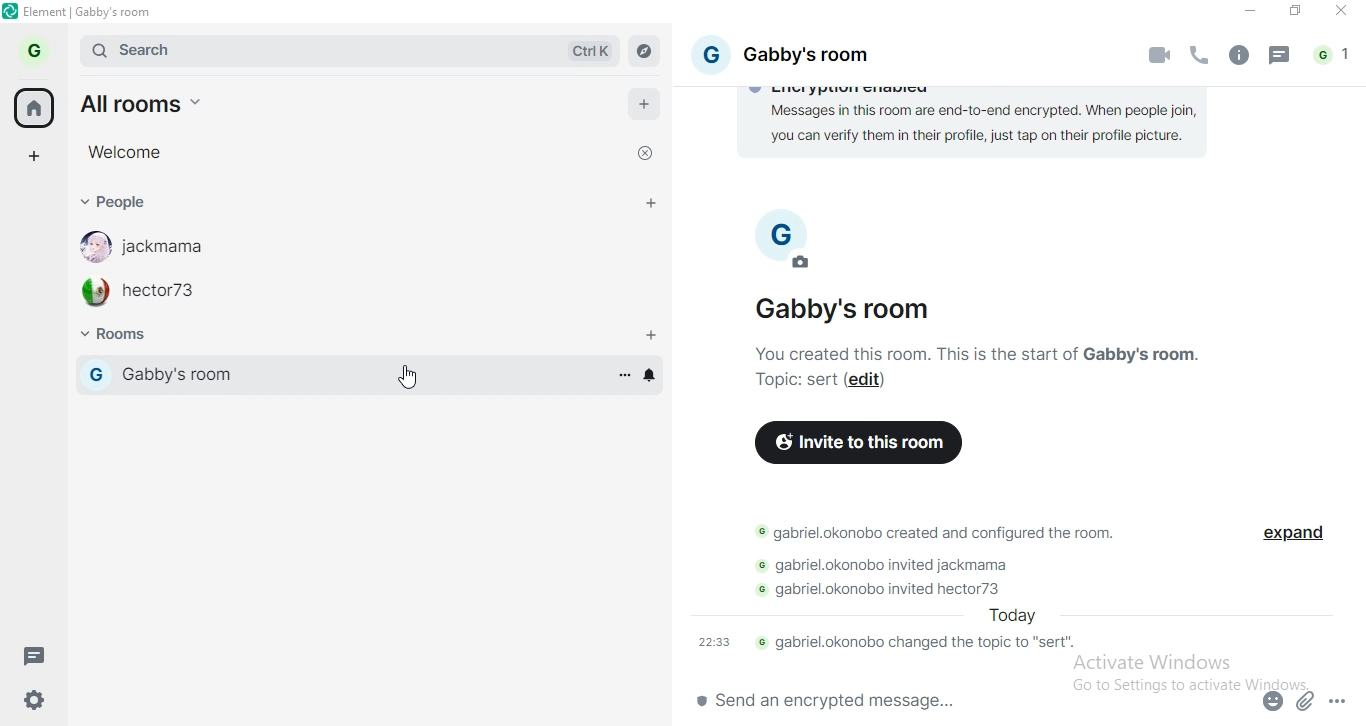  What do you see at coordinates (288, 376) in the screenshot?
I see `gabby's room` at bounding box center [288, 376].